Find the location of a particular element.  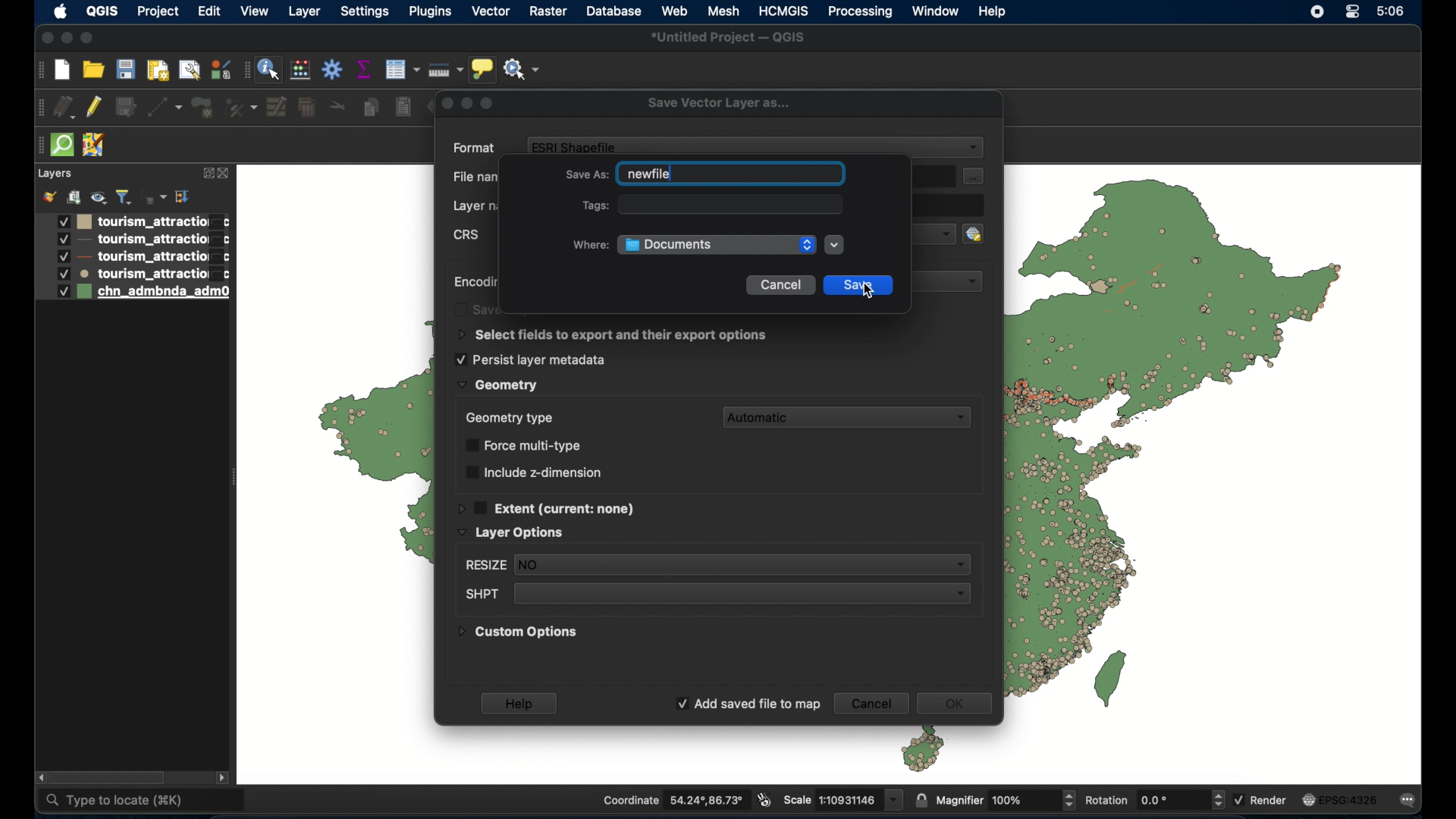

geometry type is located at coordinates (509, 417).